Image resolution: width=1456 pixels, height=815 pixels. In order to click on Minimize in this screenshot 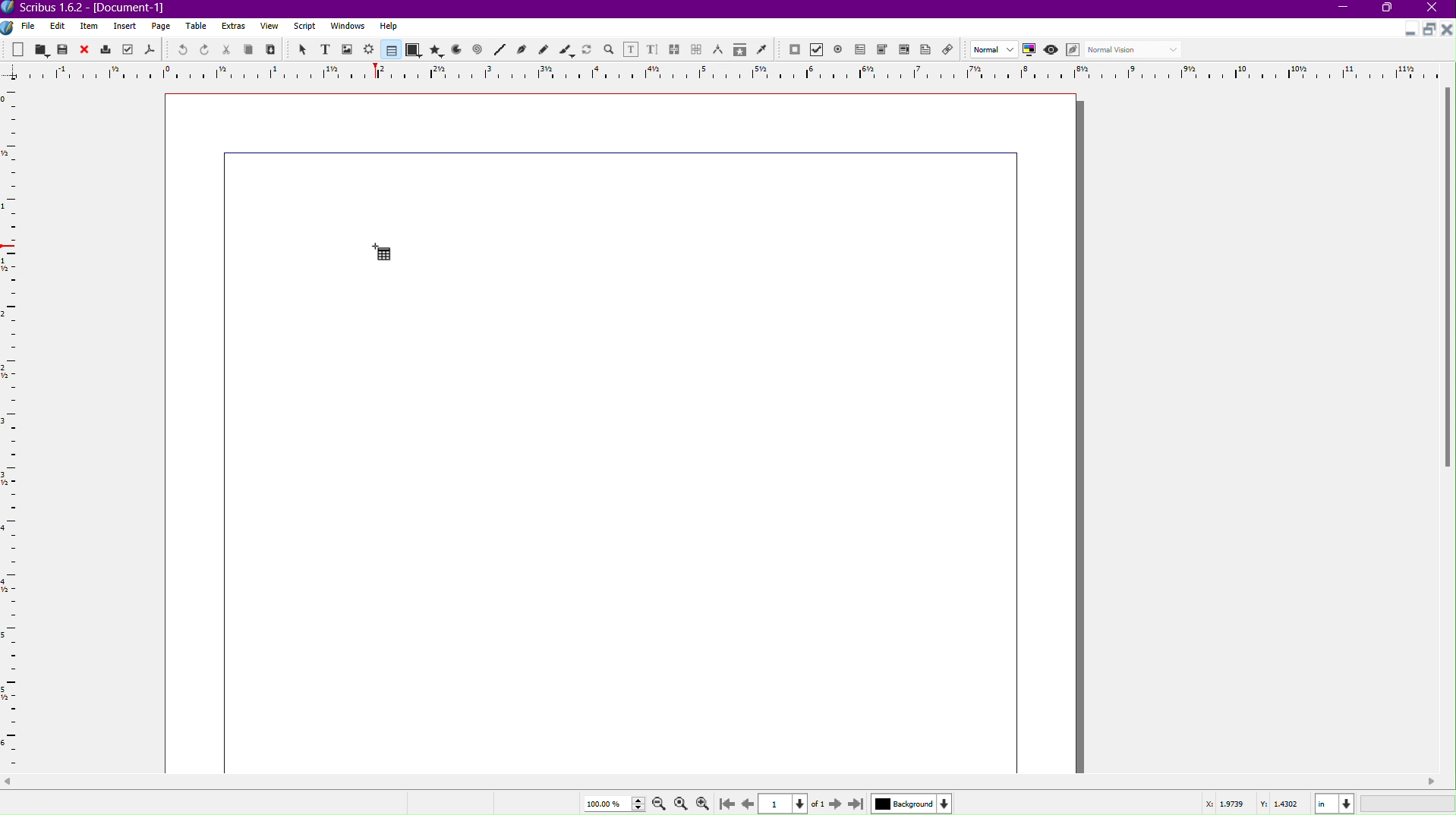, I will do `click(1407, 31)`.